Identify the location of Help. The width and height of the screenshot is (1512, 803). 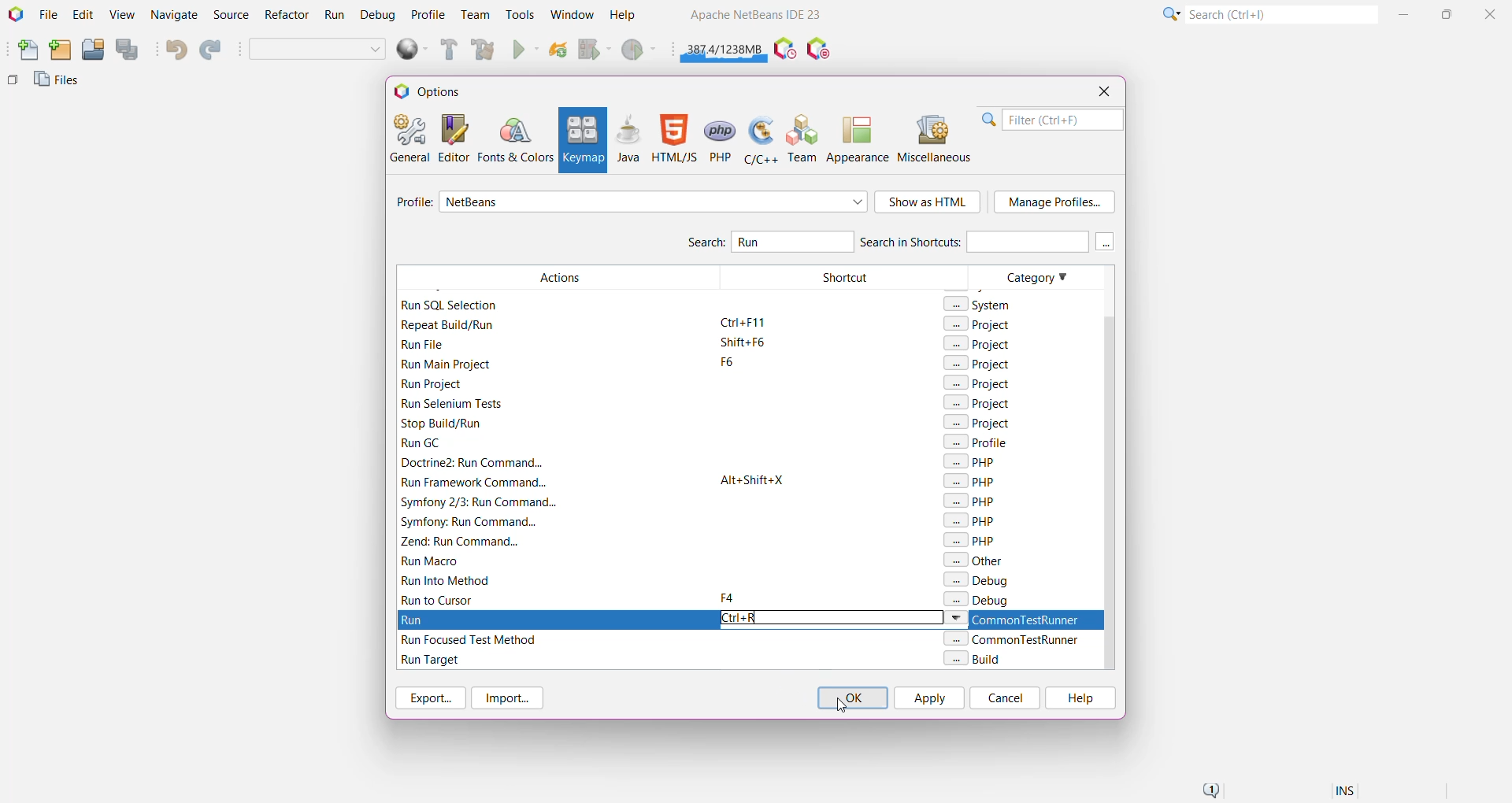
(1079, 698).